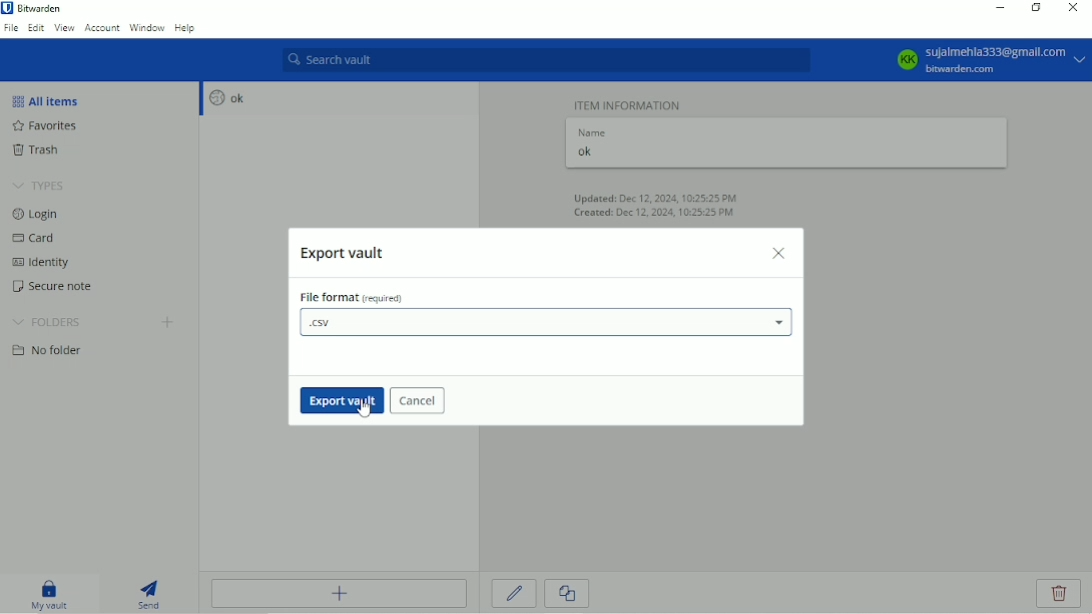 The image size is (1092, 614). Describe the element at coordinates (418, 402) in the screenshot. I see `Cancel` at that location.